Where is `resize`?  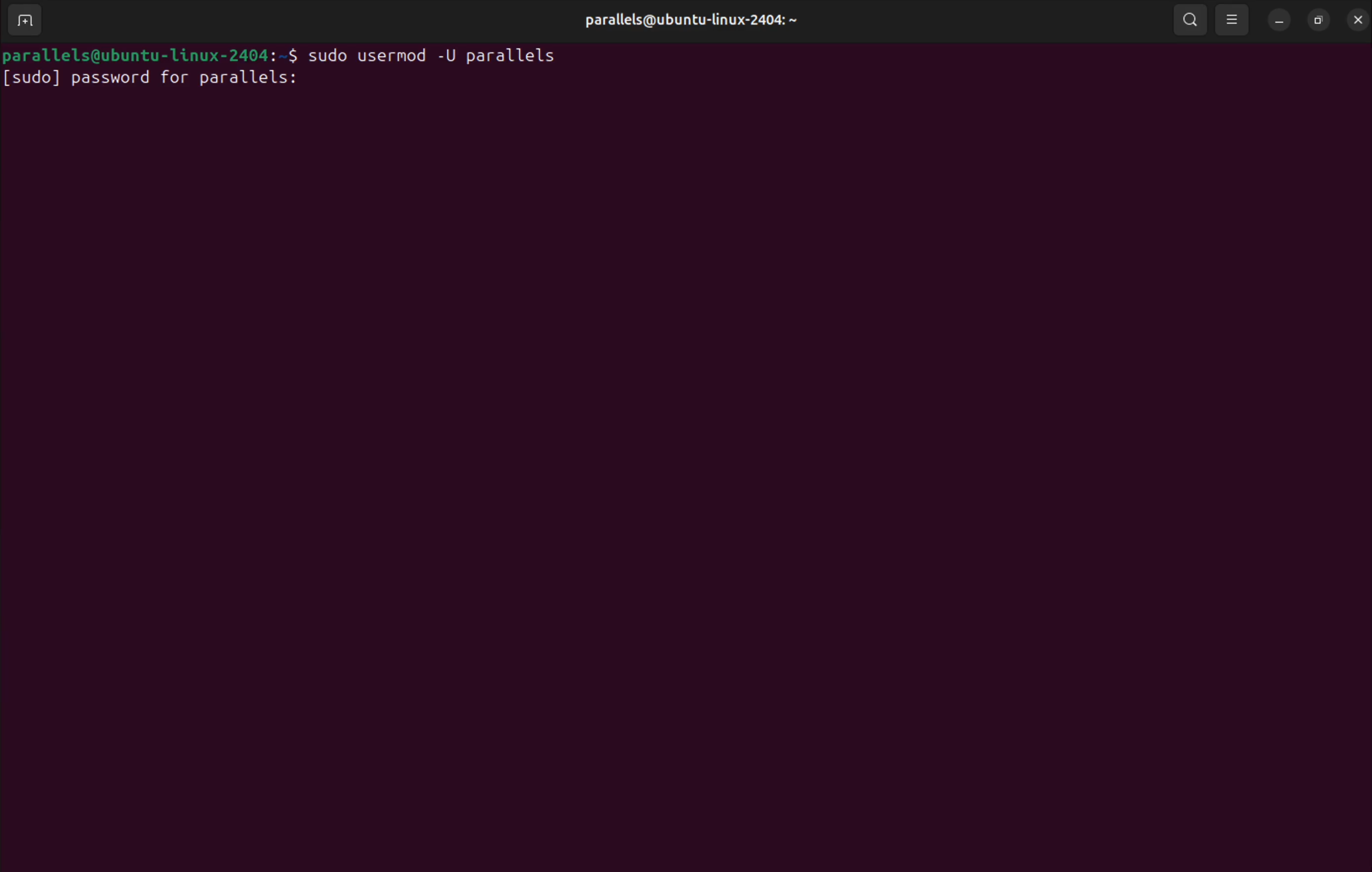
resize is located at coordinates (1317, 18).